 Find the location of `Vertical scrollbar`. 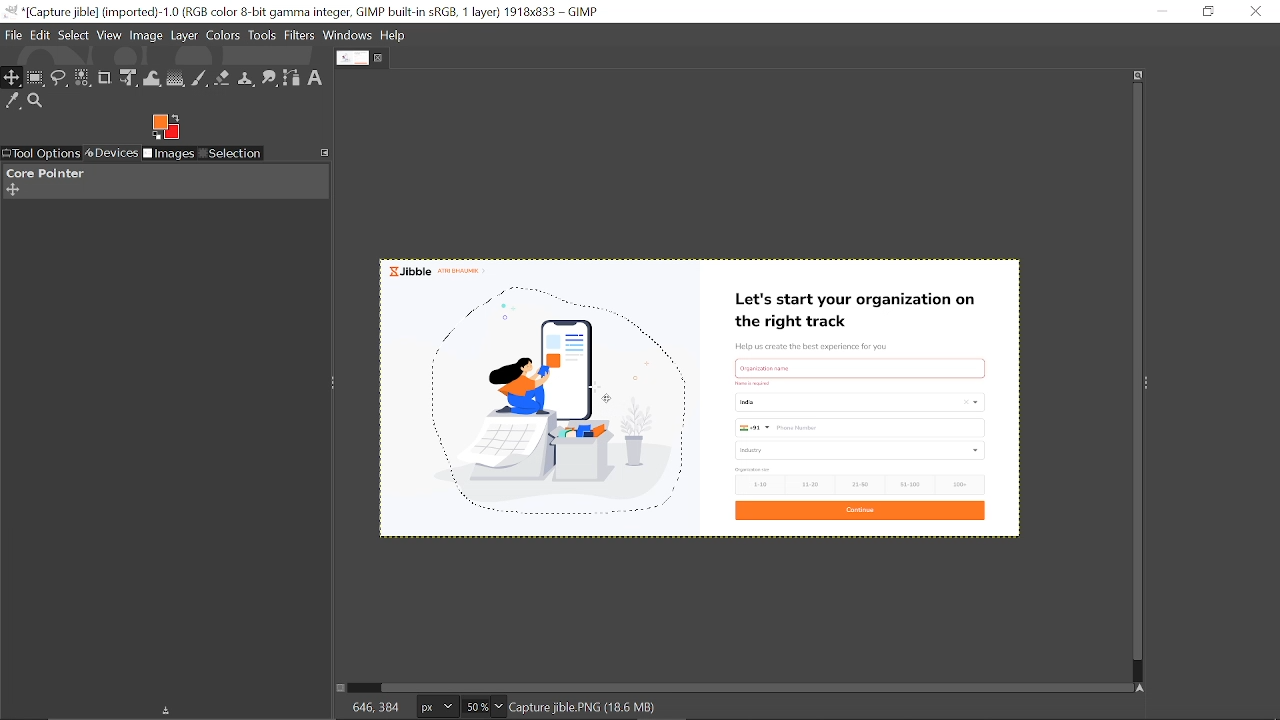

Vertical scrollbar is located at coordinates (1134, 373).